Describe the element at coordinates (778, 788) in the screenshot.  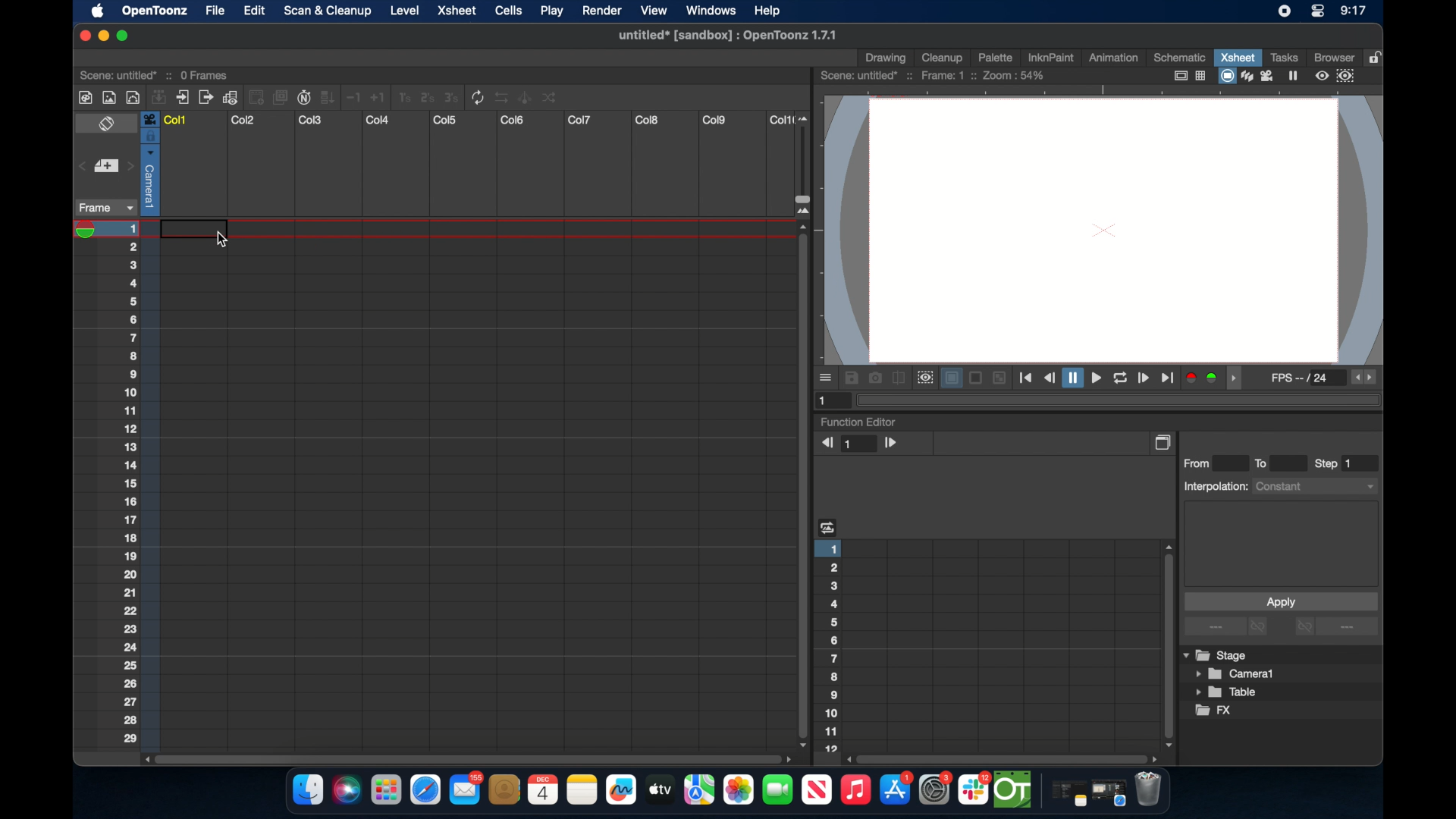
I see `facetime` at that location.